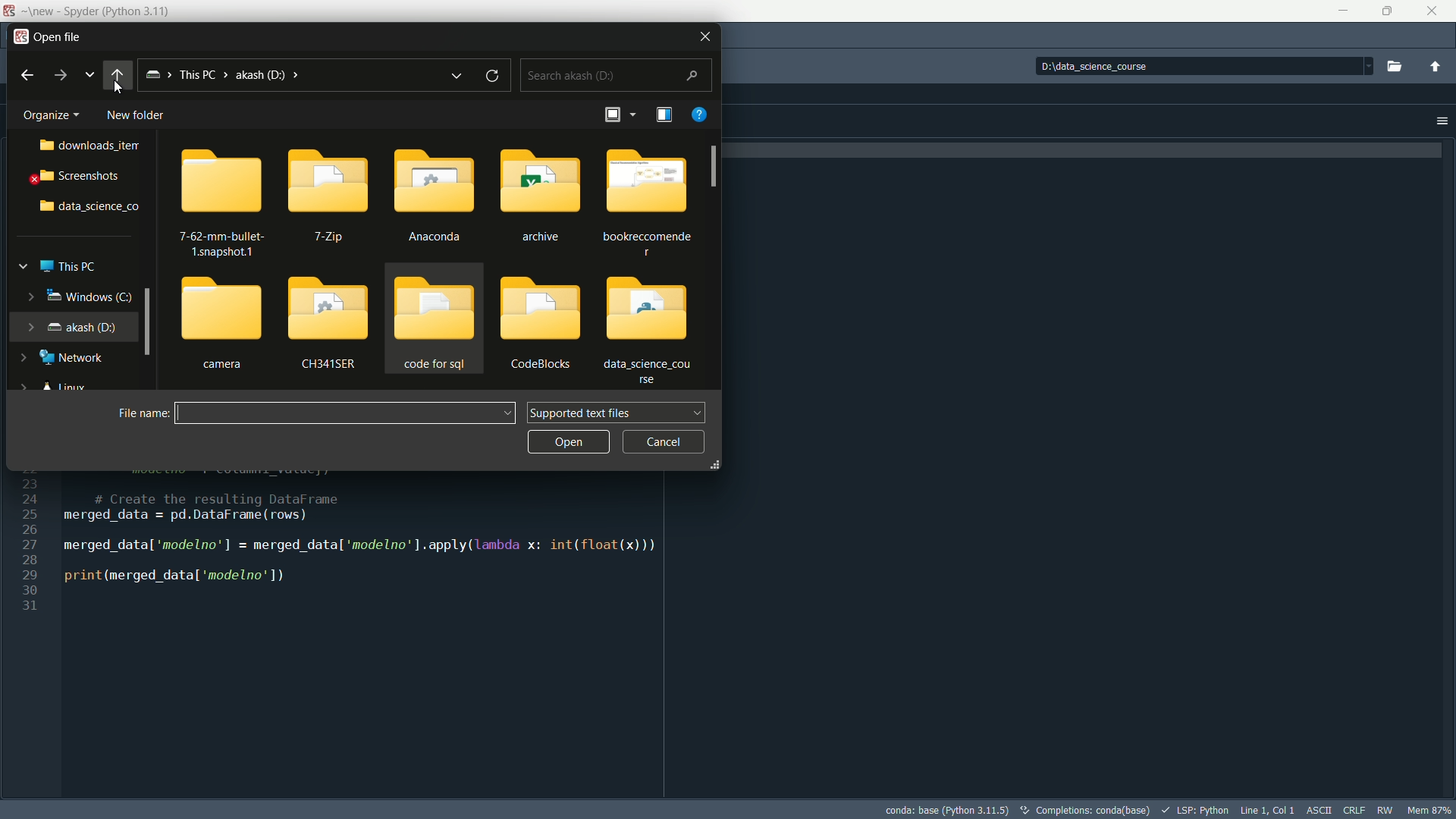 The height and width of the screenshot is (819, 1456). Describe the element at coordinates (507, 413) in the screenshot. I see `dropdown` at that location.